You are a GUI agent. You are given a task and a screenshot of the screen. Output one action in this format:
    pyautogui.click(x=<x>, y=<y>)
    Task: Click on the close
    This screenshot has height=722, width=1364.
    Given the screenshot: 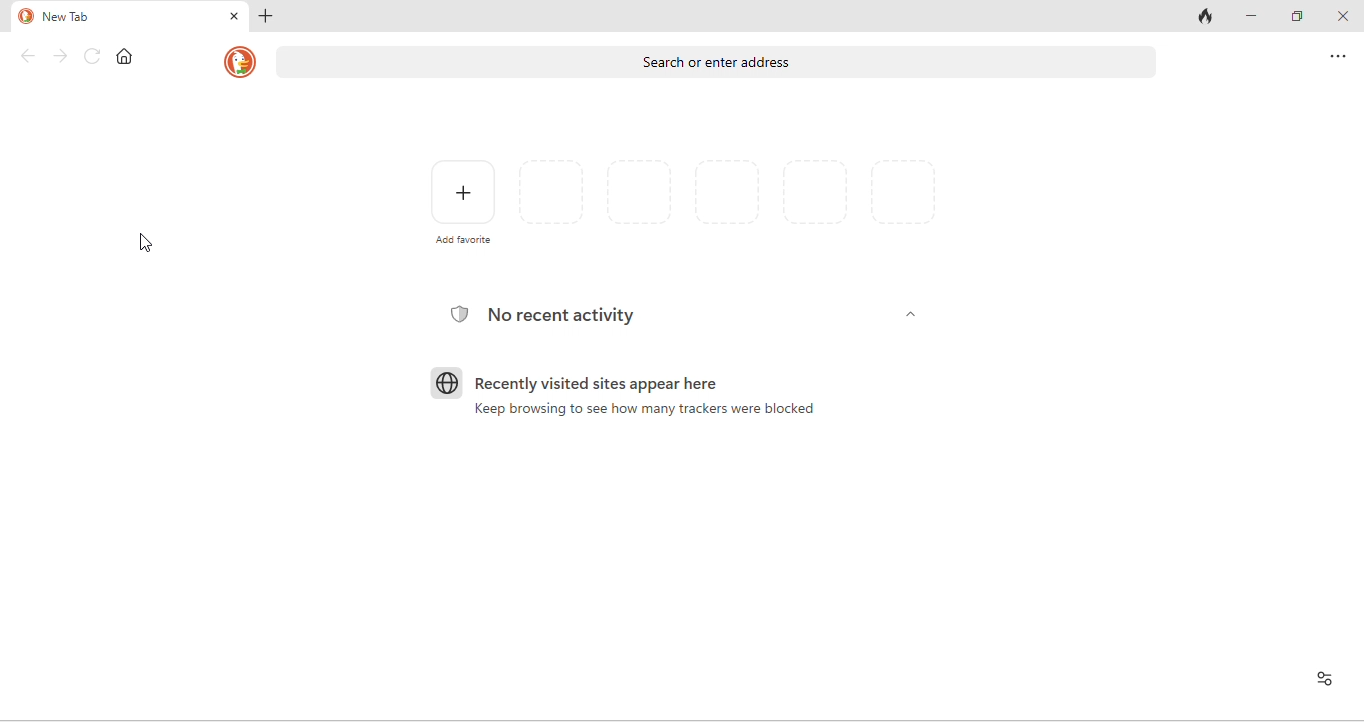 What is the action you would take?
    pyautogui.click(x=234, y=17)
    